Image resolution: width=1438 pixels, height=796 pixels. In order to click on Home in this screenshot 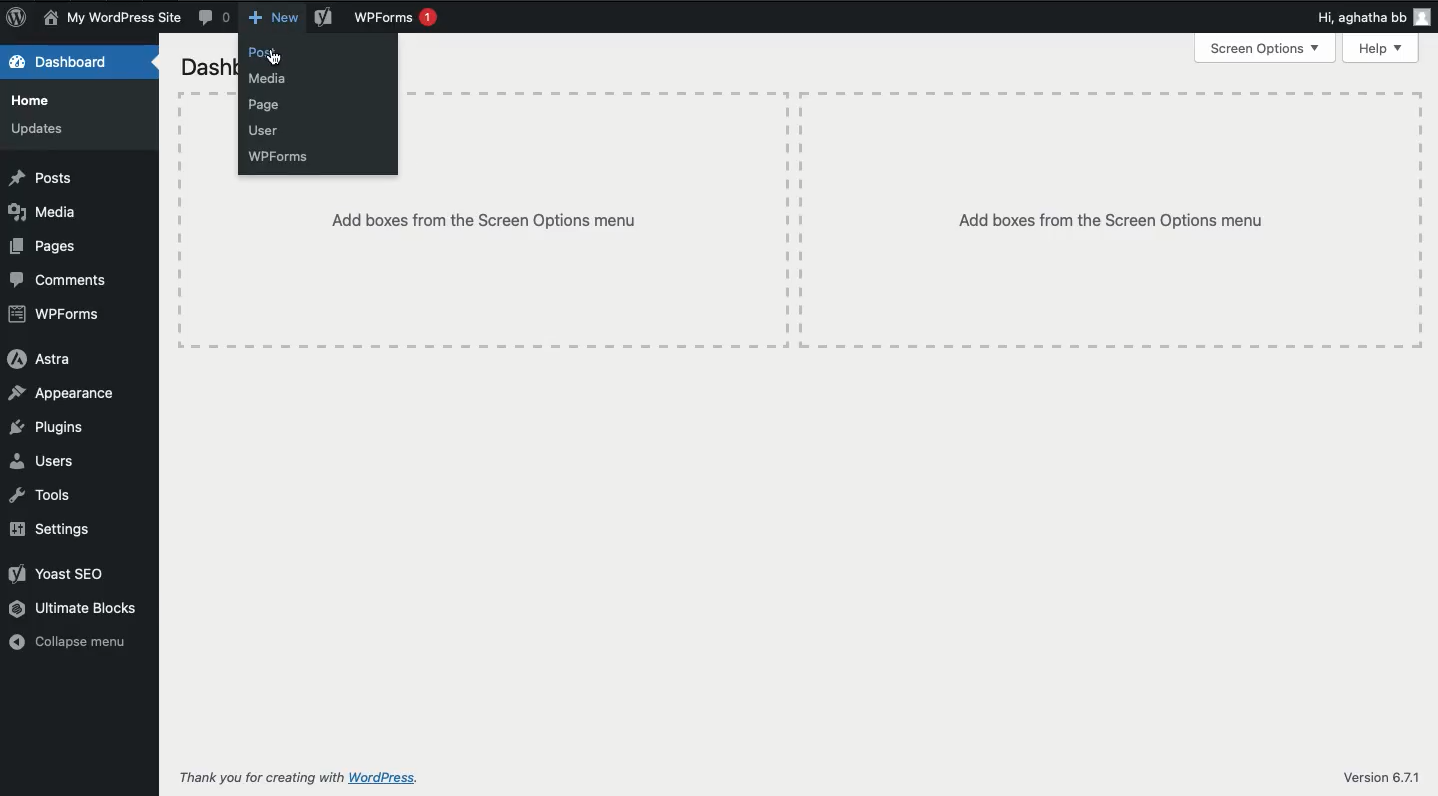, I will do `click(31, 99)`.